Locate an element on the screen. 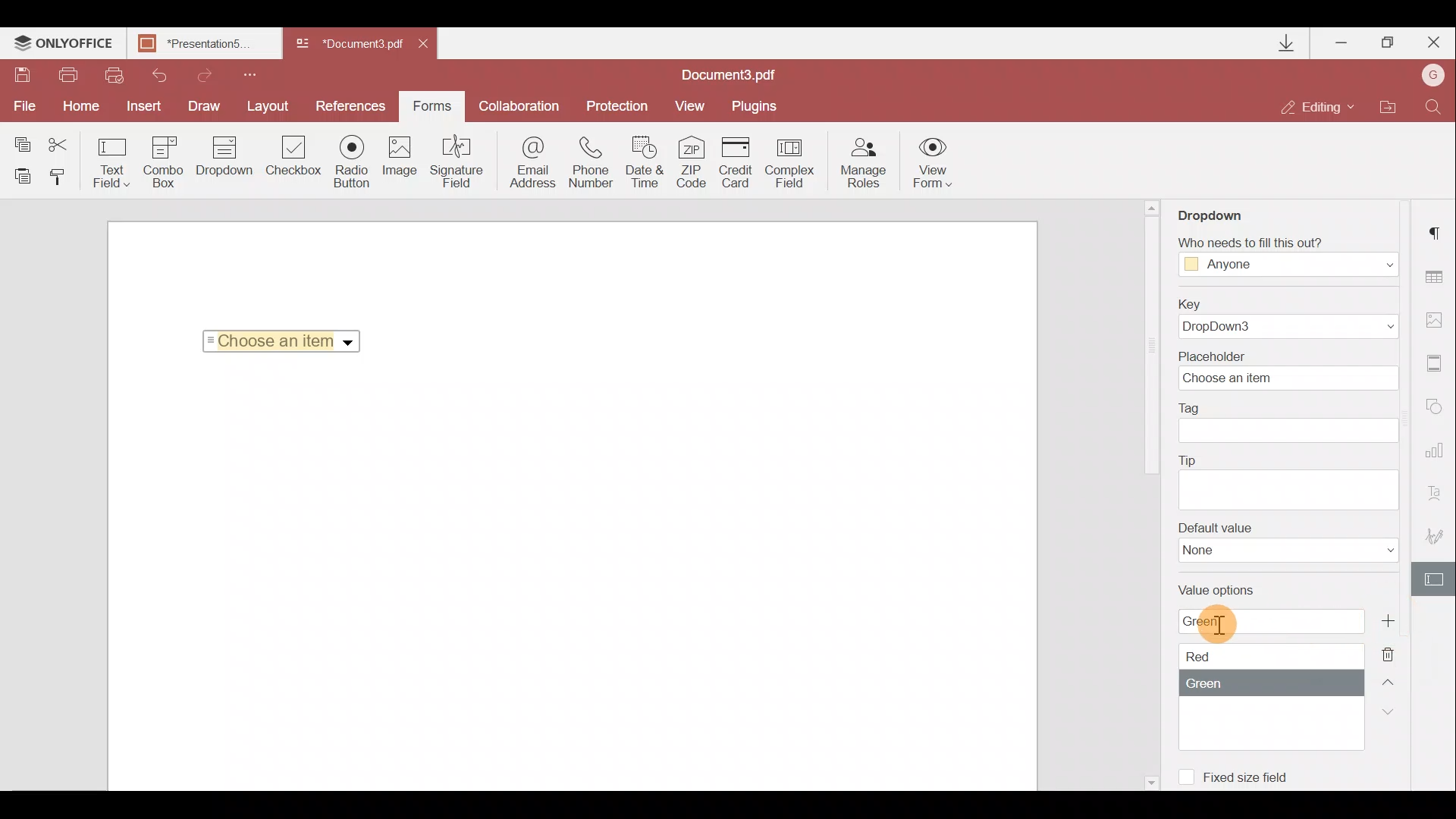  Fixed size field is located at coordinates (1255, 780).